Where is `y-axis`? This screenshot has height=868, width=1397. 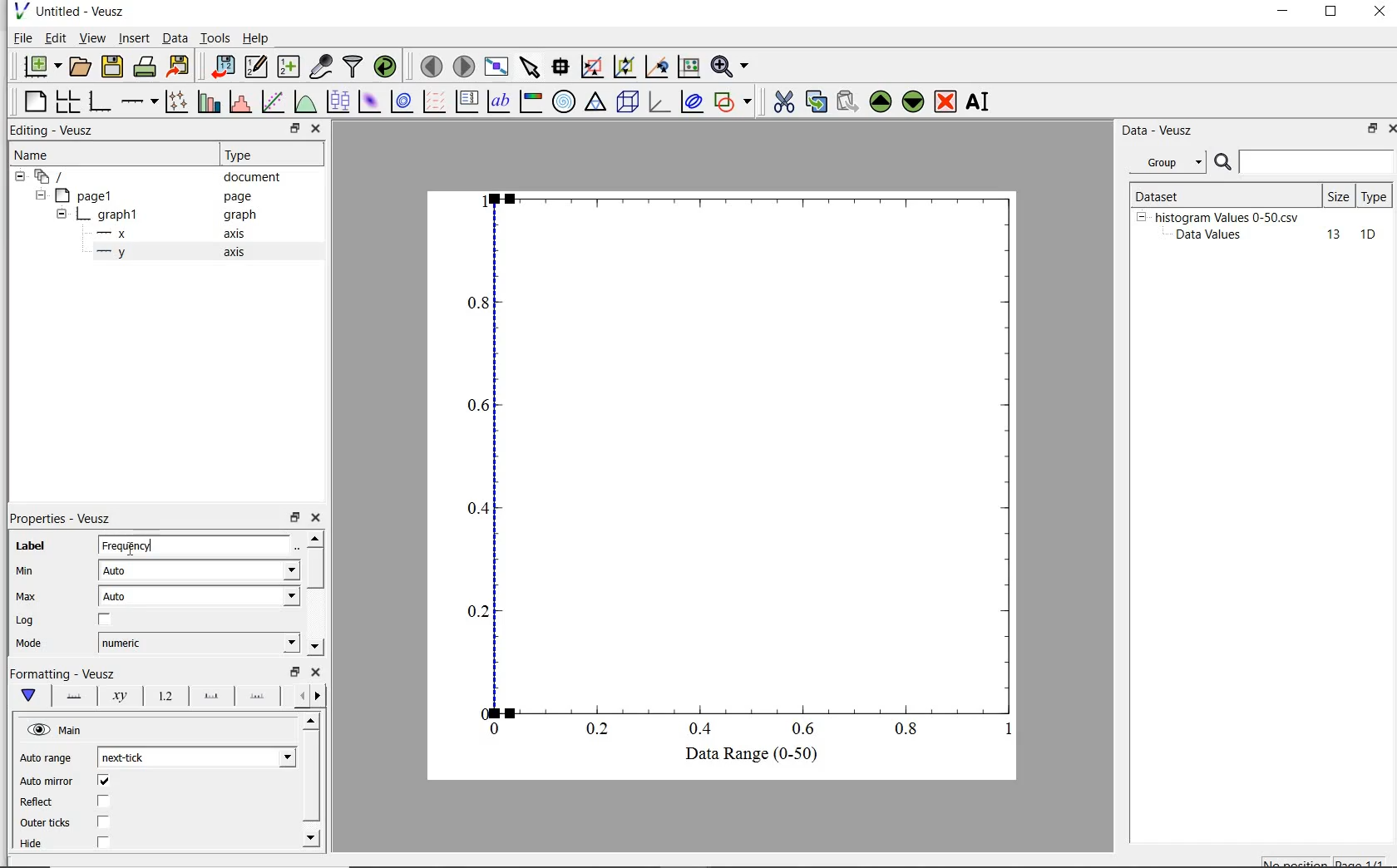 y-axis is located at coordinates (115, 253).